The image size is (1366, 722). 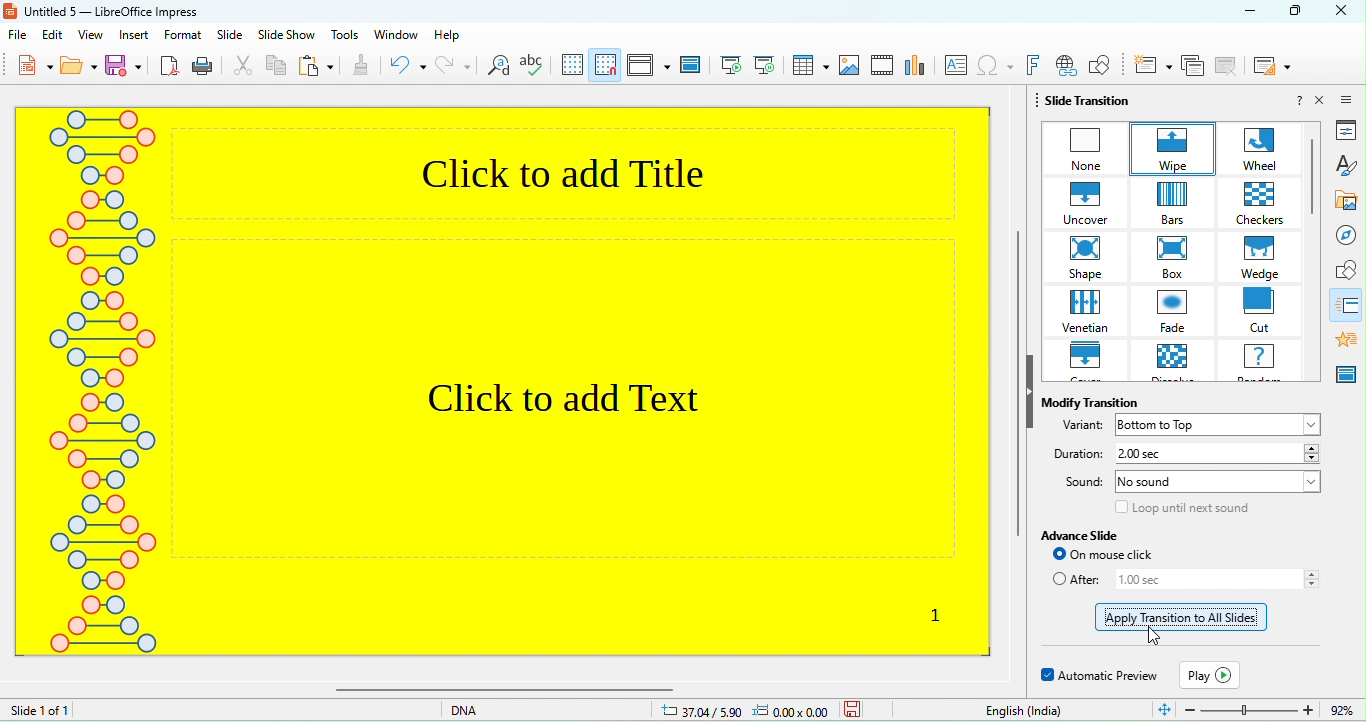 What do you see at coordinates (1088, 362) in the screenshot?
I see `cover` at bounding box center [1088, 362].